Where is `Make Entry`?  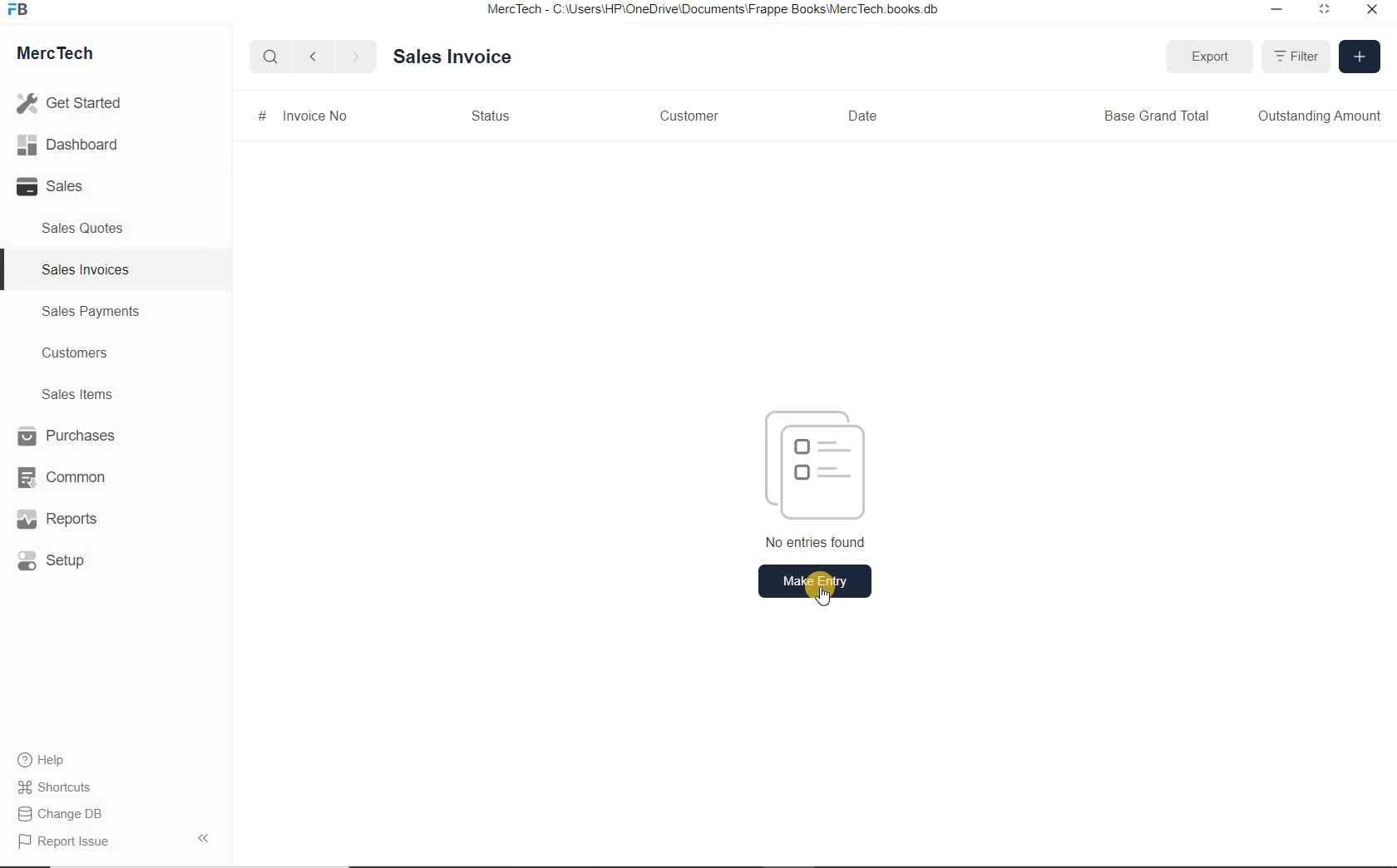
Make Entry is located at coordinates (816, 580).